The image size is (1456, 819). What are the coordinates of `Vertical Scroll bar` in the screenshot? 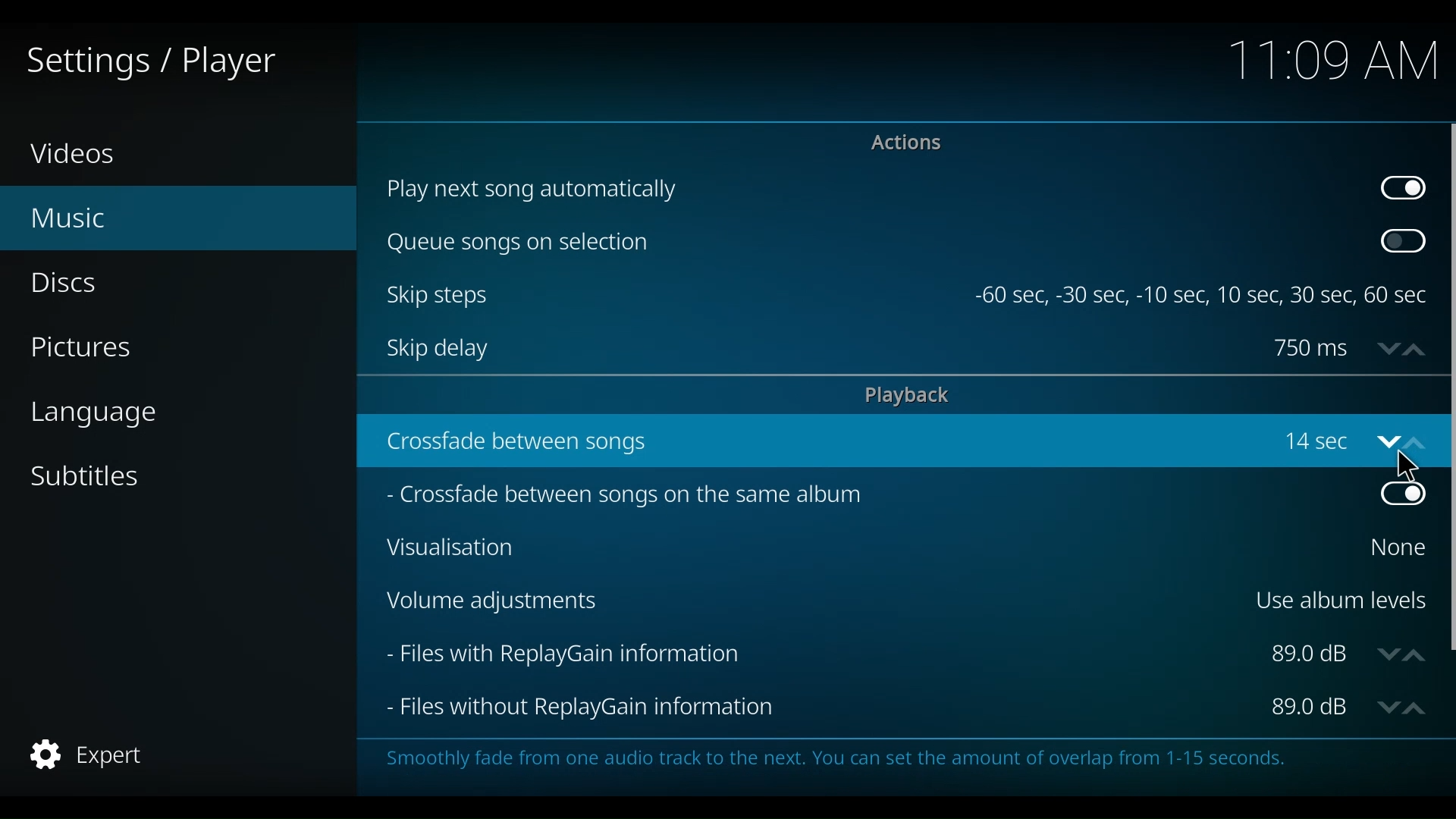 It's located at (1447, 386).